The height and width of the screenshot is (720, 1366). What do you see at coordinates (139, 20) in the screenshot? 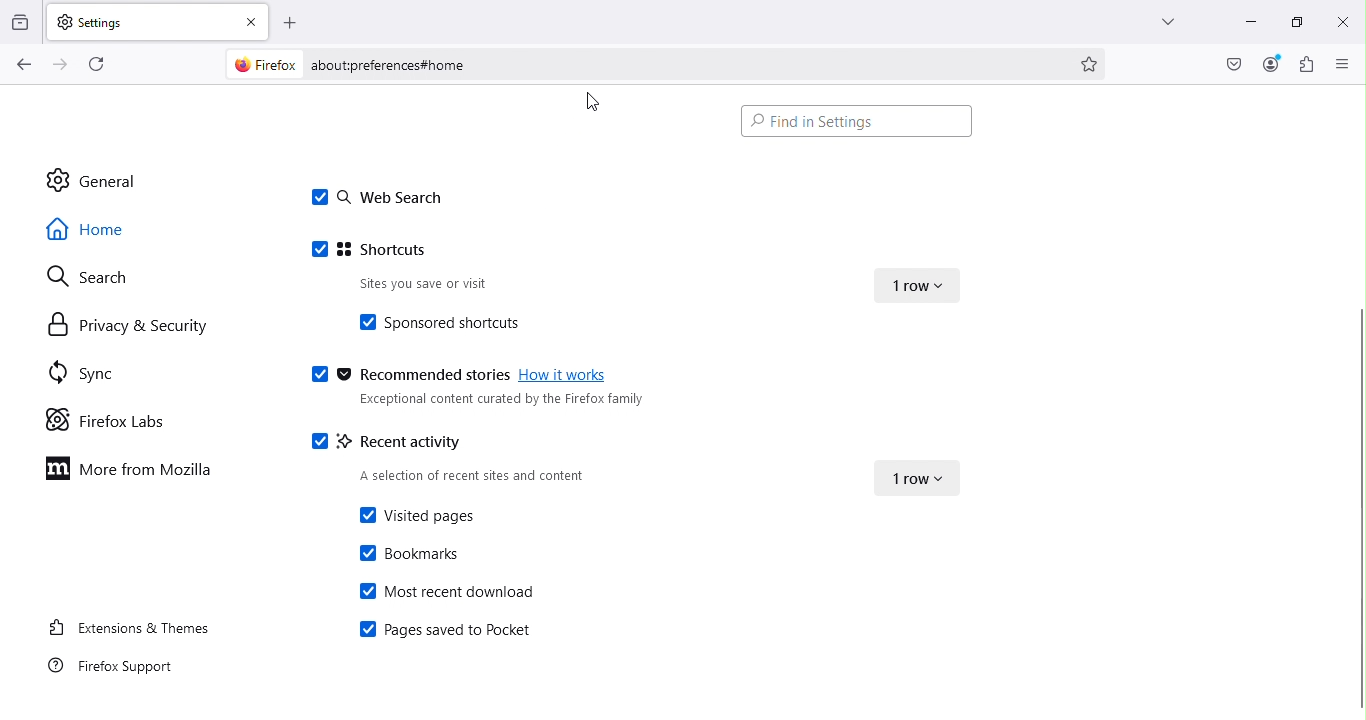
I see `Settings` at bounding box center [139, 20].